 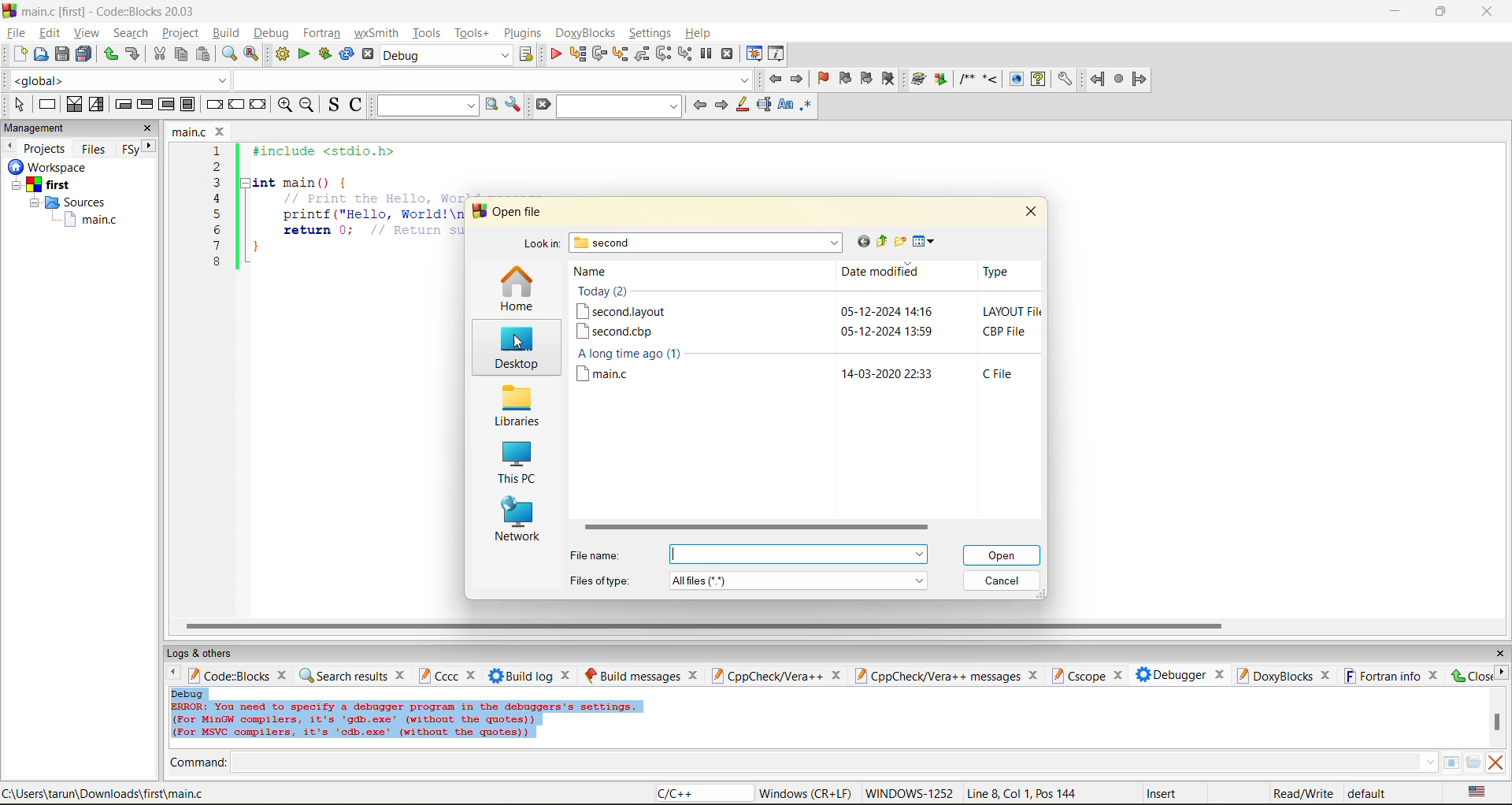 I want to click on build messages, so click(x=632, y=675).